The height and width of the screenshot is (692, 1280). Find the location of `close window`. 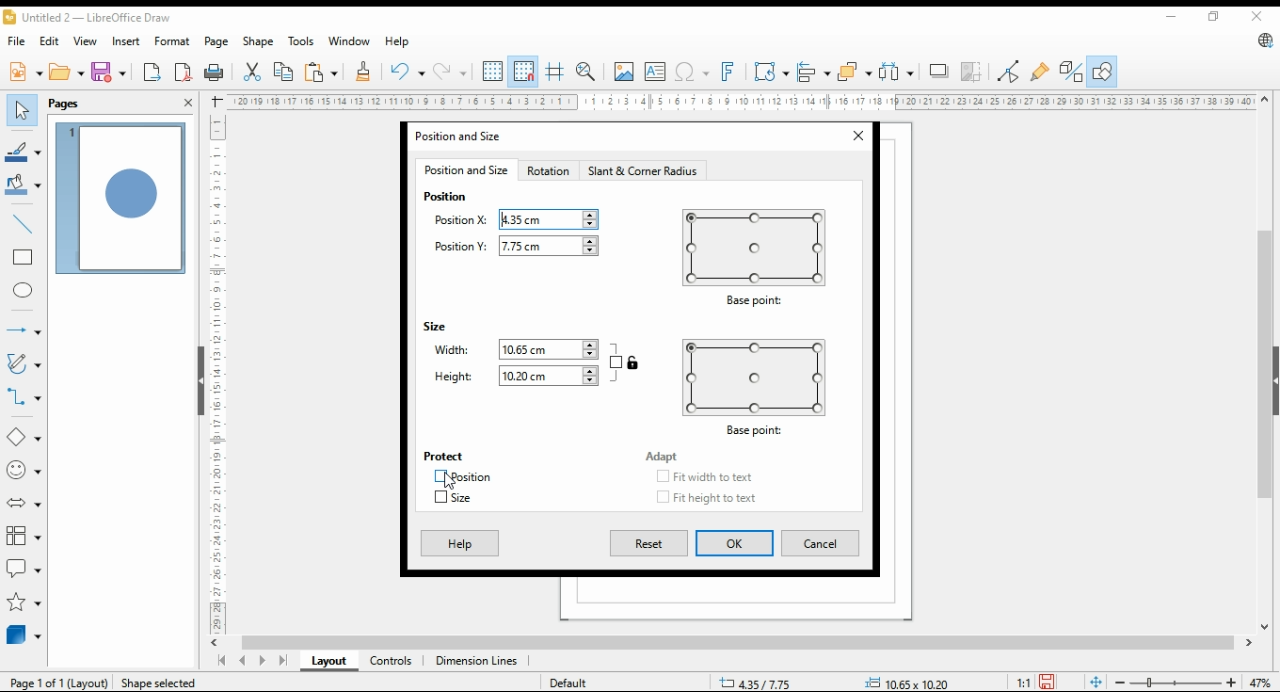

close window is located at coordinates (857, 133).